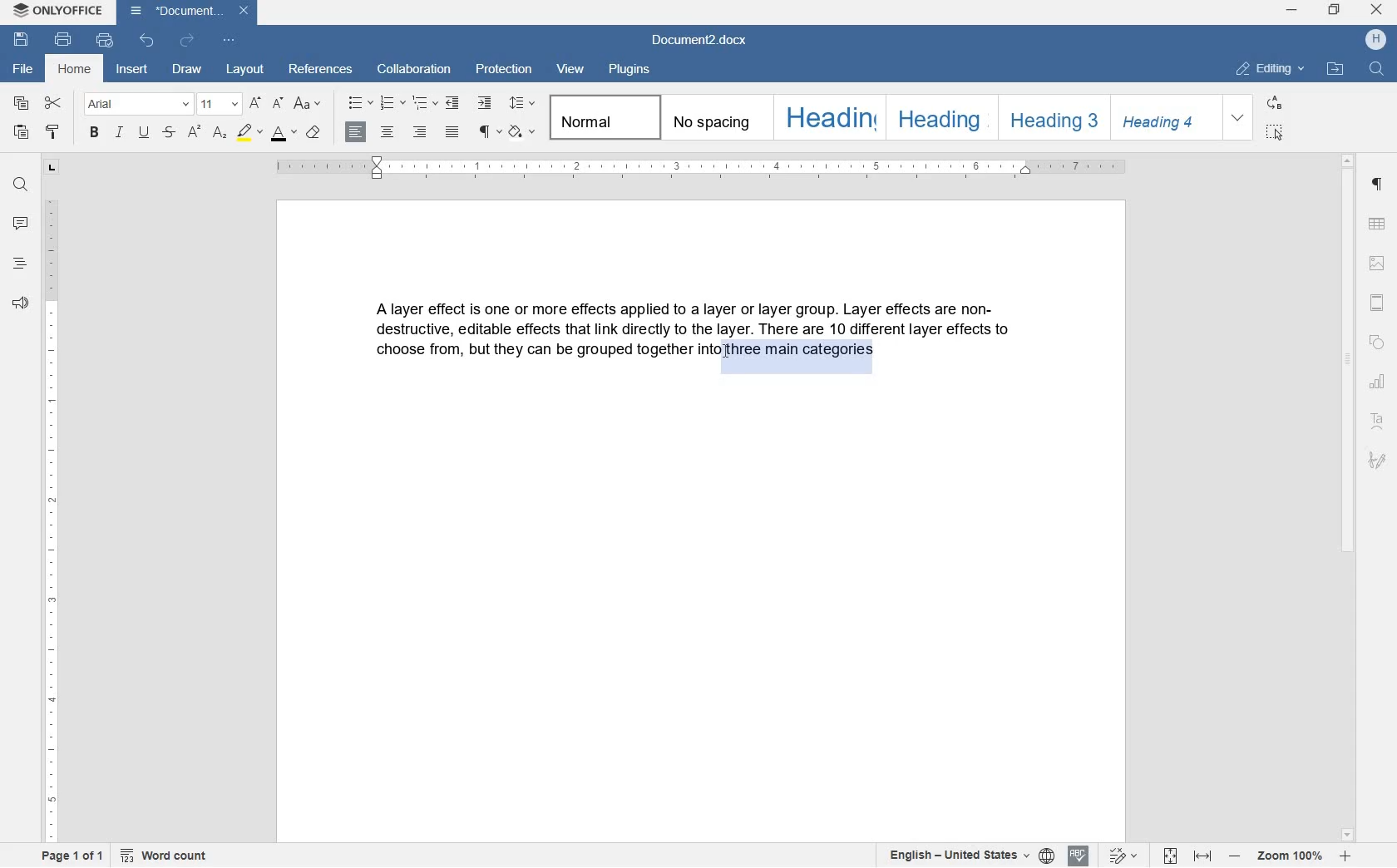 The height and width of the screenshot is (868, 1397). What do you see at coordinates (422, 133) in the screenshot?
I see `align right` at bounding box center [422, 133].